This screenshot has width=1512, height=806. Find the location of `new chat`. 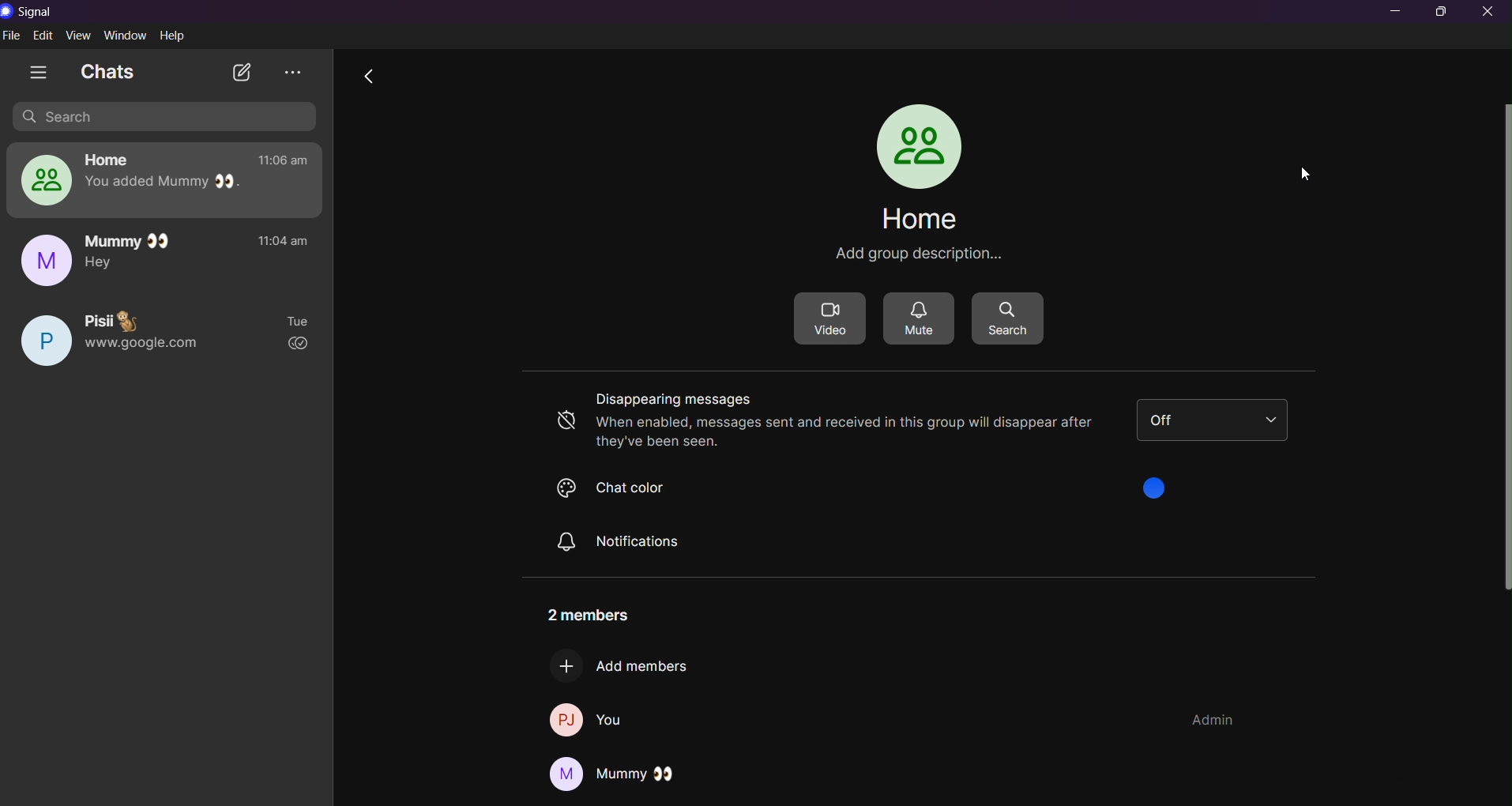

new chat is located at coordinates (244, 73).